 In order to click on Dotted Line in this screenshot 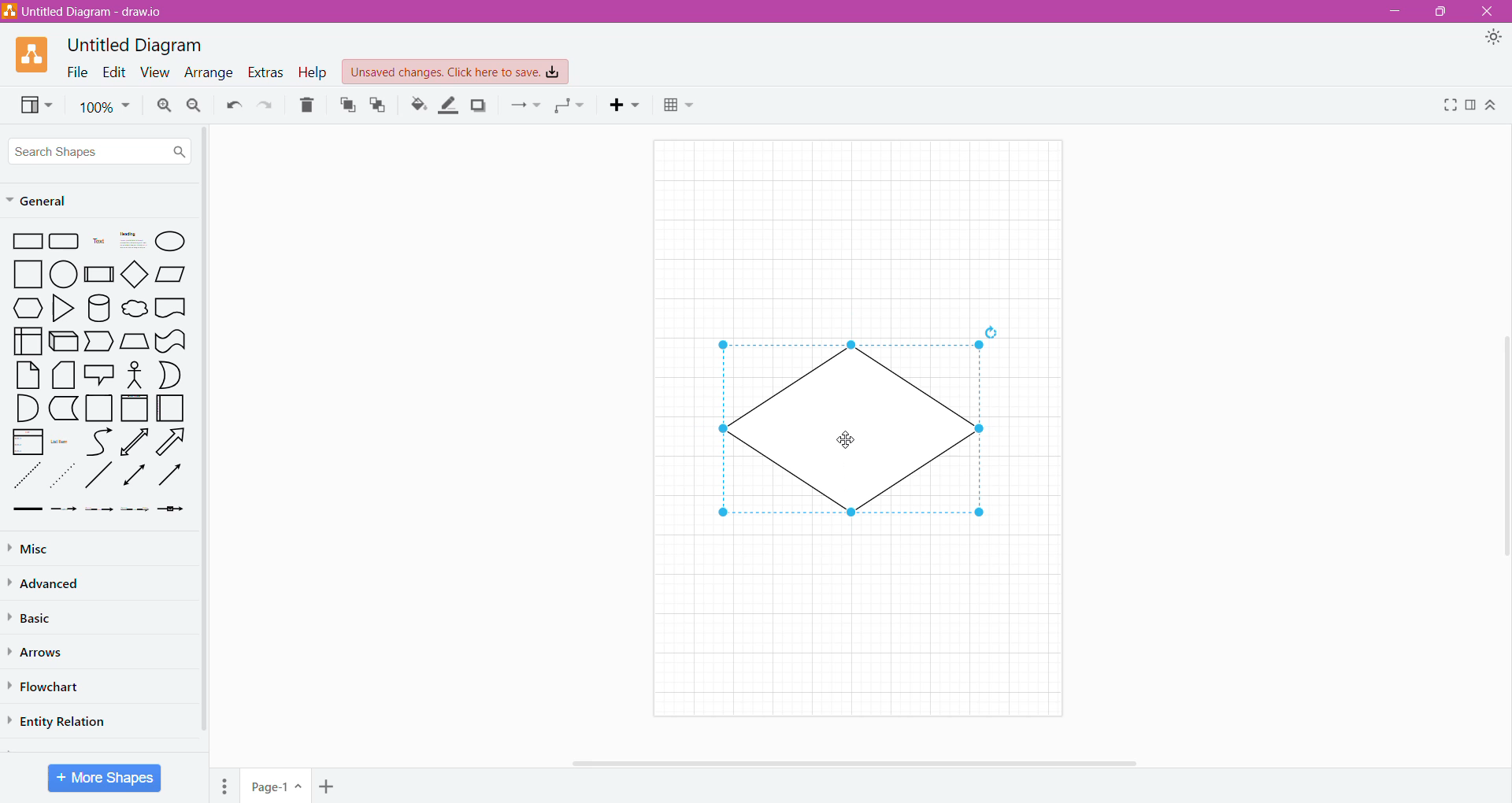, I will do `click(65, 479)`.